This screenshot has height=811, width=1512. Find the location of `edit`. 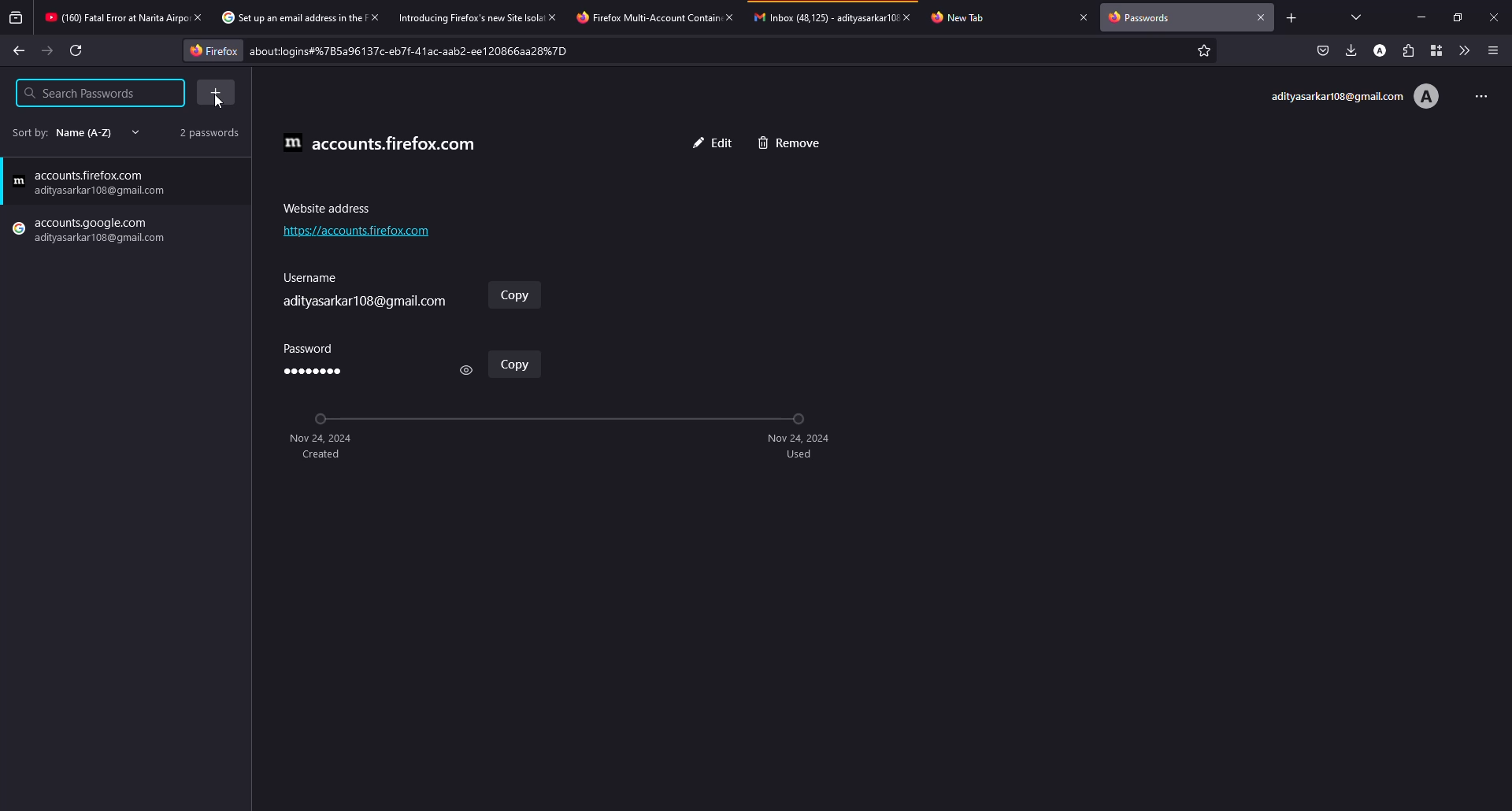

edit is located at coordinates (707, 142).